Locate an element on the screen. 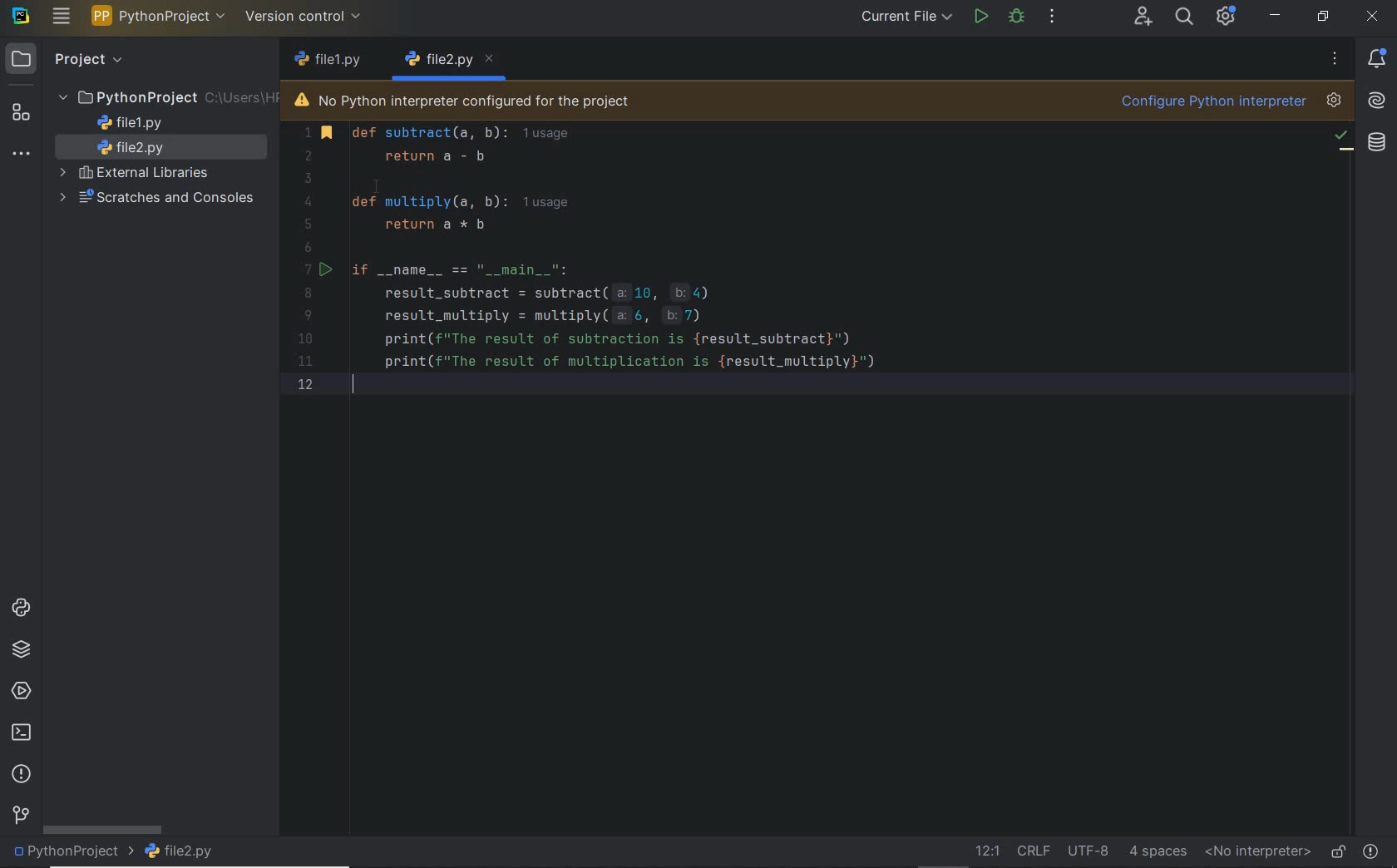 The image size is (1397, 868). run is located at coordinates (325, 267).